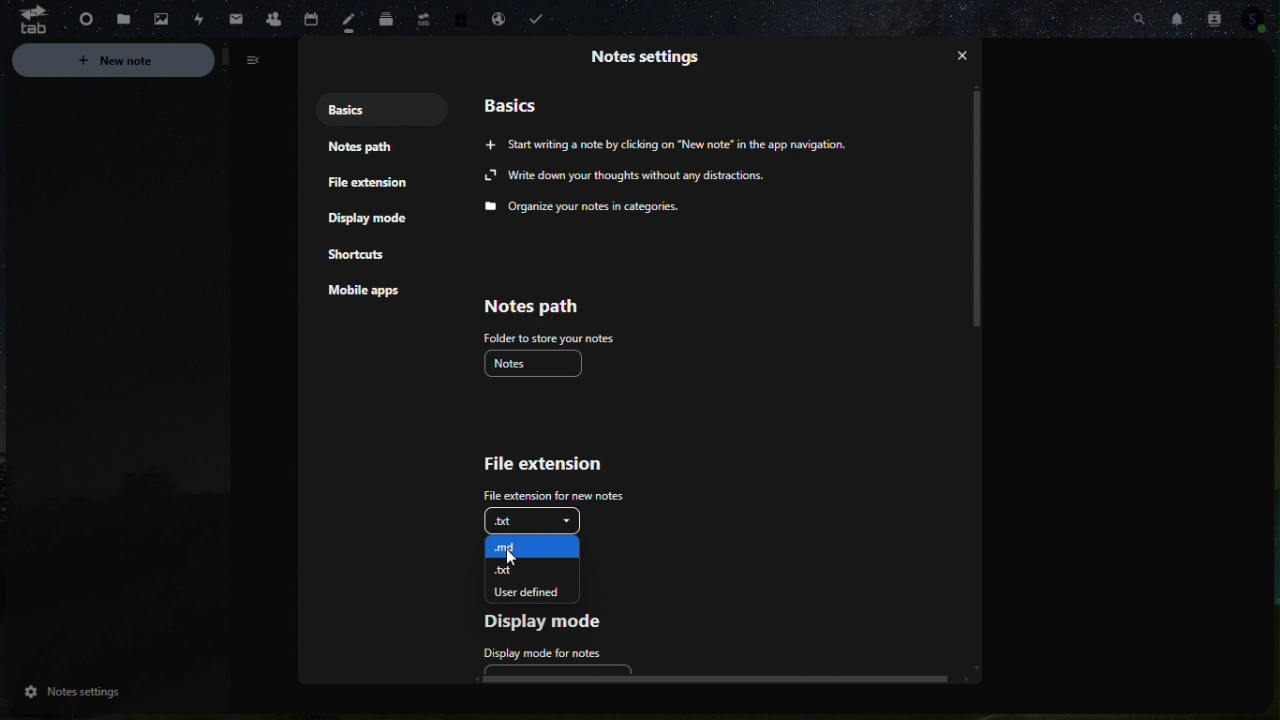 This screenshot has height=720, width=1280. I want to click on tab, so click(26, 20).